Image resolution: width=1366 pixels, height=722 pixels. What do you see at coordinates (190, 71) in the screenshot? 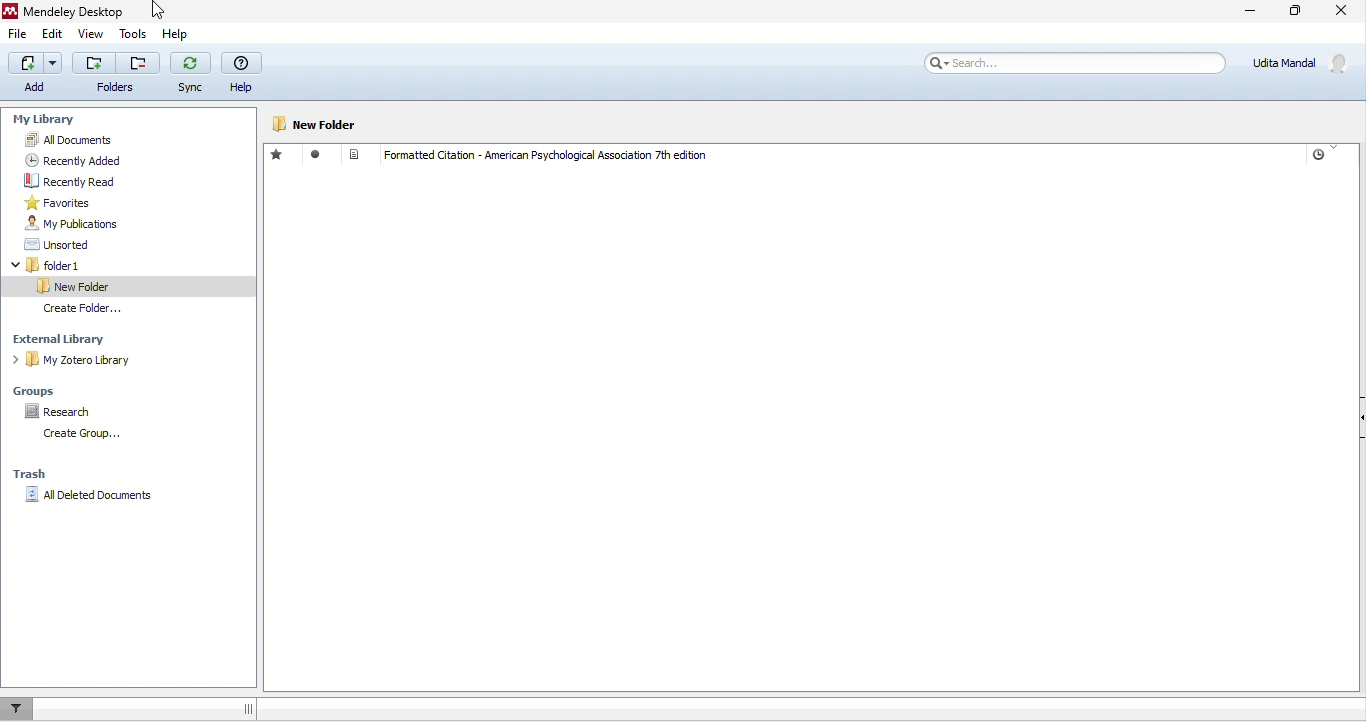
I see `sync` at bounding box center [190, 71].